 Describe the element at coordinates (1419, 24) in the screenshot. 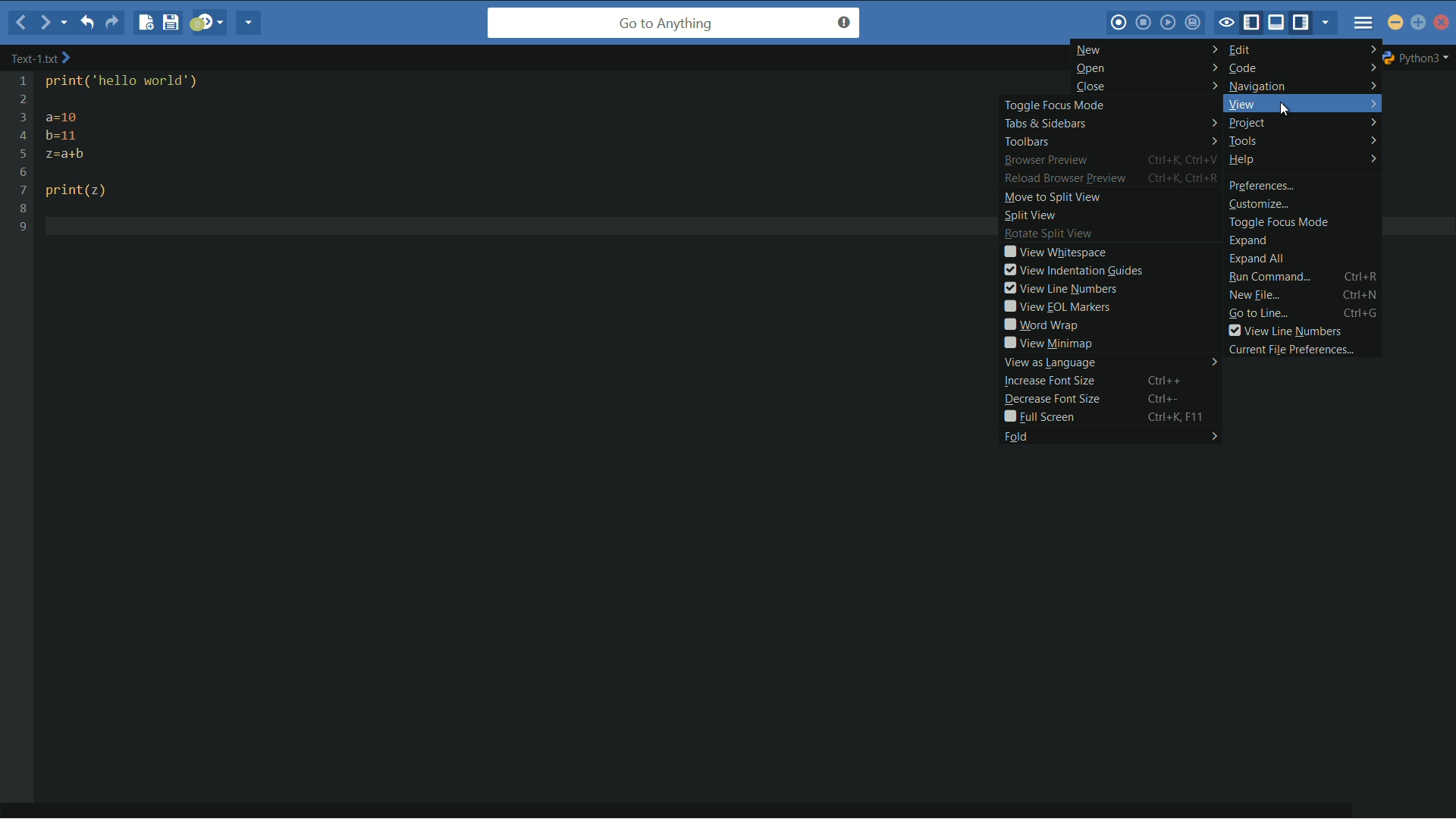

I see `maximize` at that location.